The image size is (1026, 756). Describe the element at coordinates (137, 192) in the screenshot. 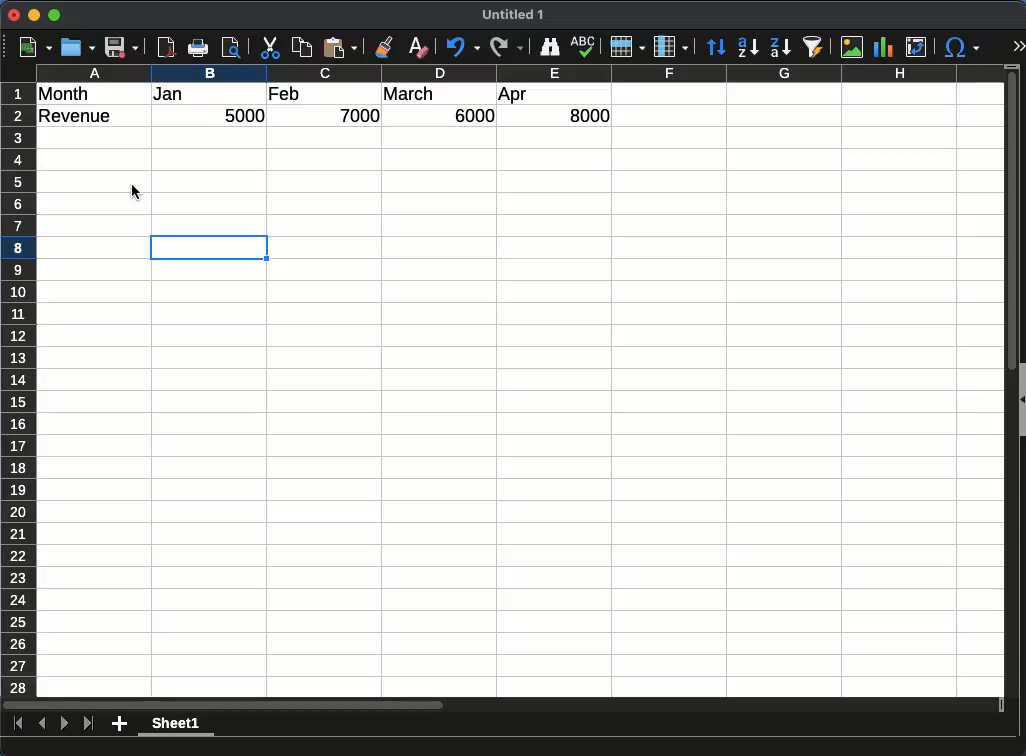

I see `cursor` at that location.